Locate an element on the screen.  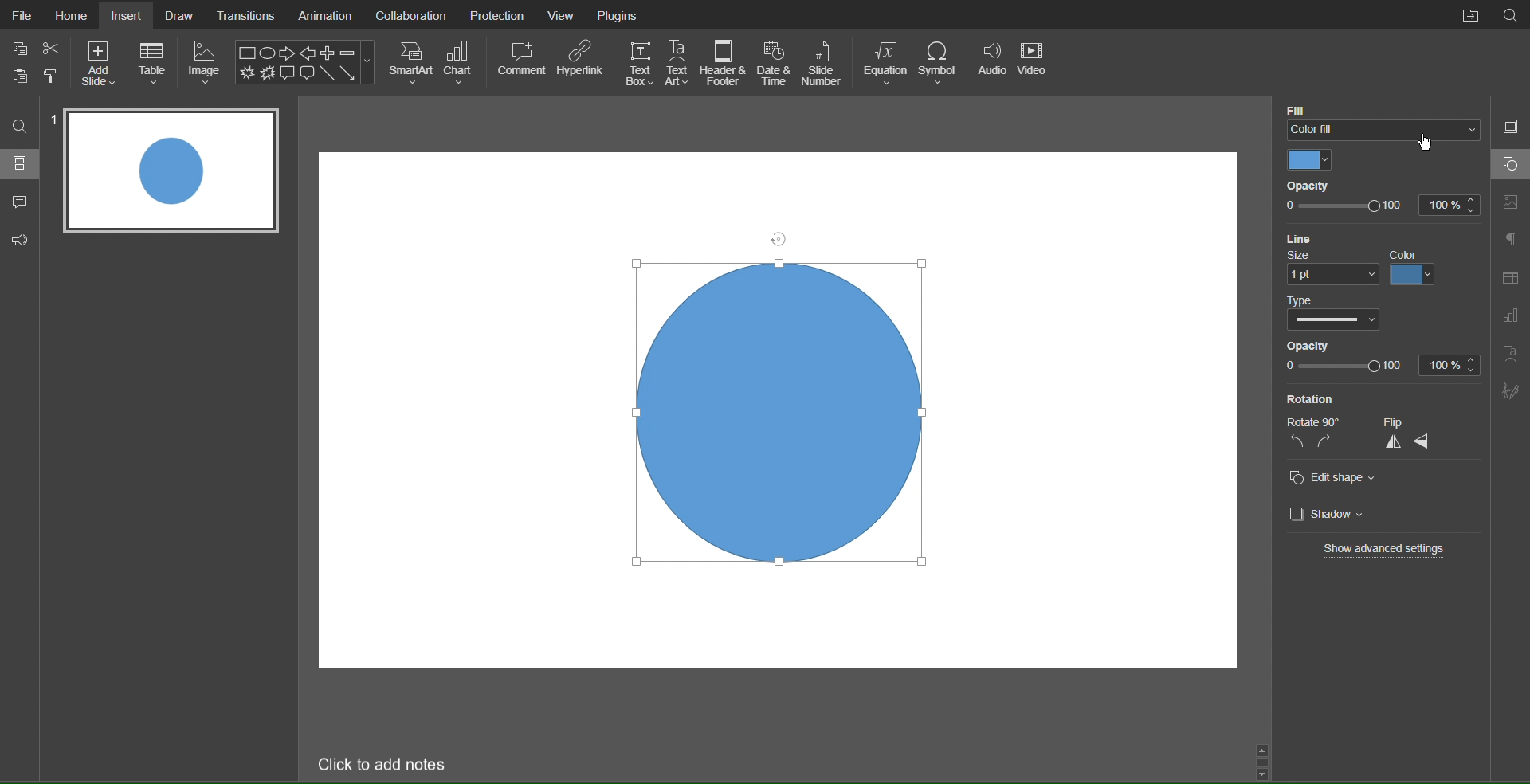
Slide 1 is located at coordinates (171, 171).